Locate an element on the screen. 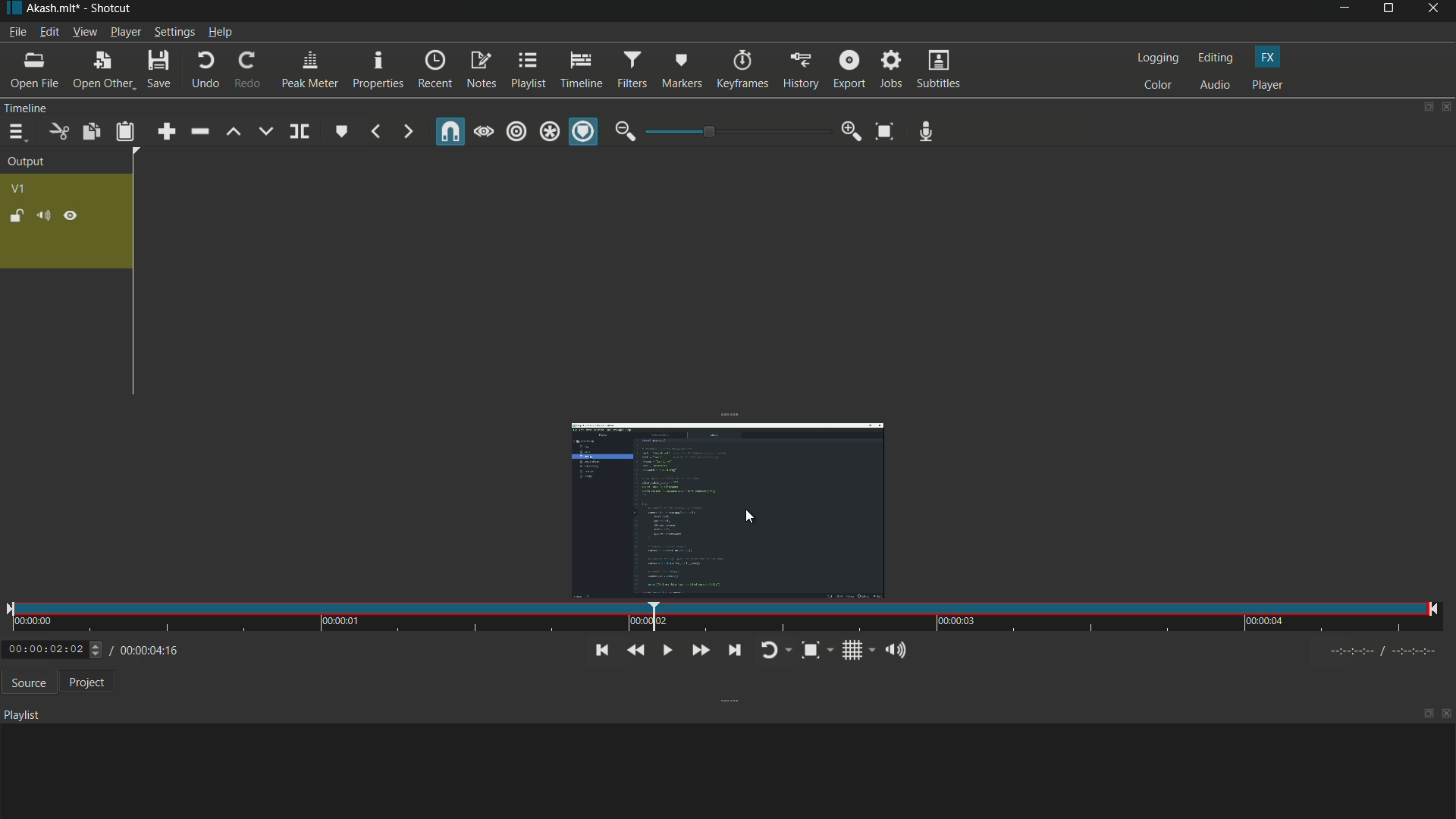  logging is located at coordinates (1155, 58).